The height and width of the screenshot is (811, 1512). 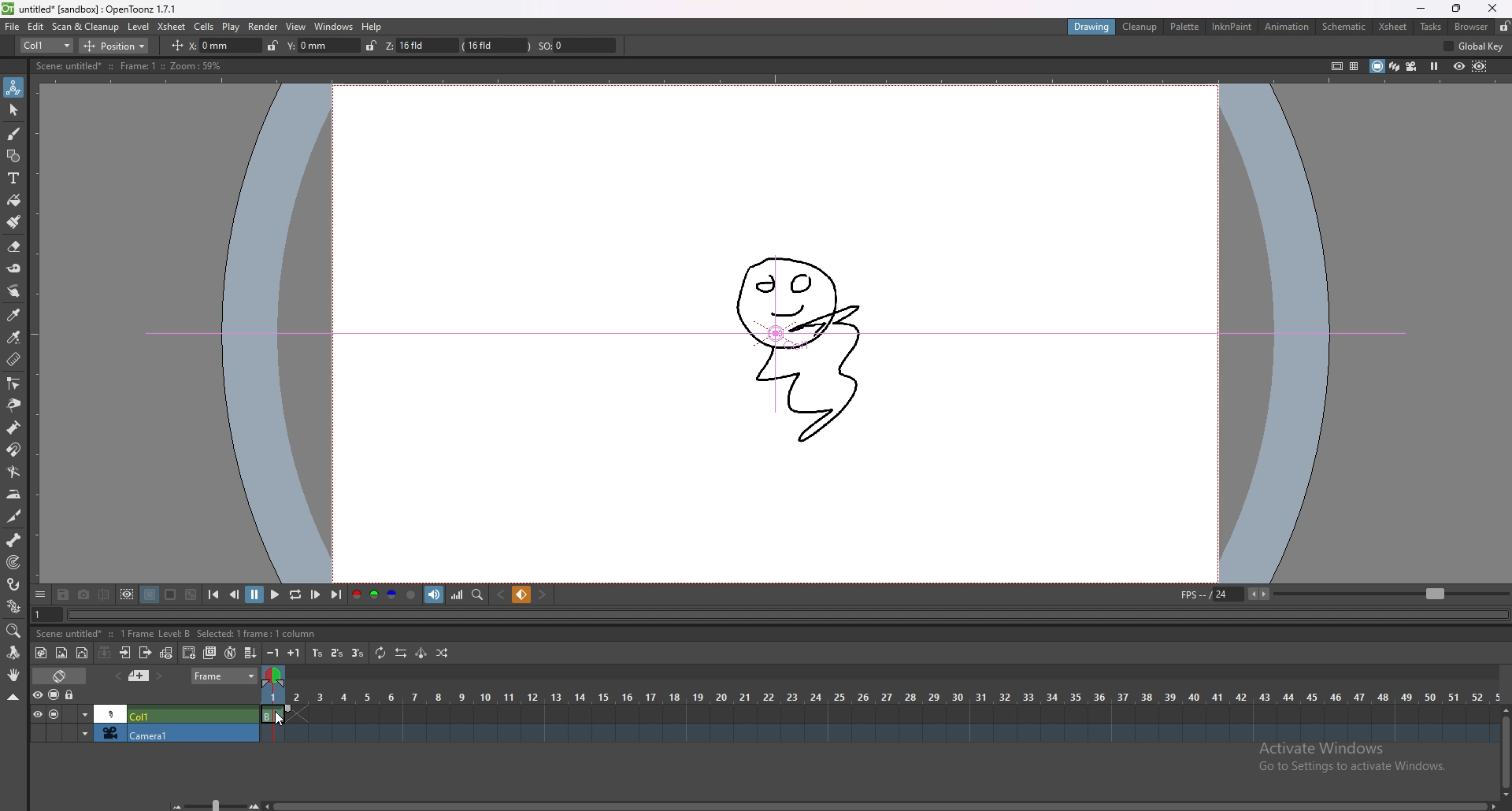 I want to click on next key, so click(x=542, y=595).